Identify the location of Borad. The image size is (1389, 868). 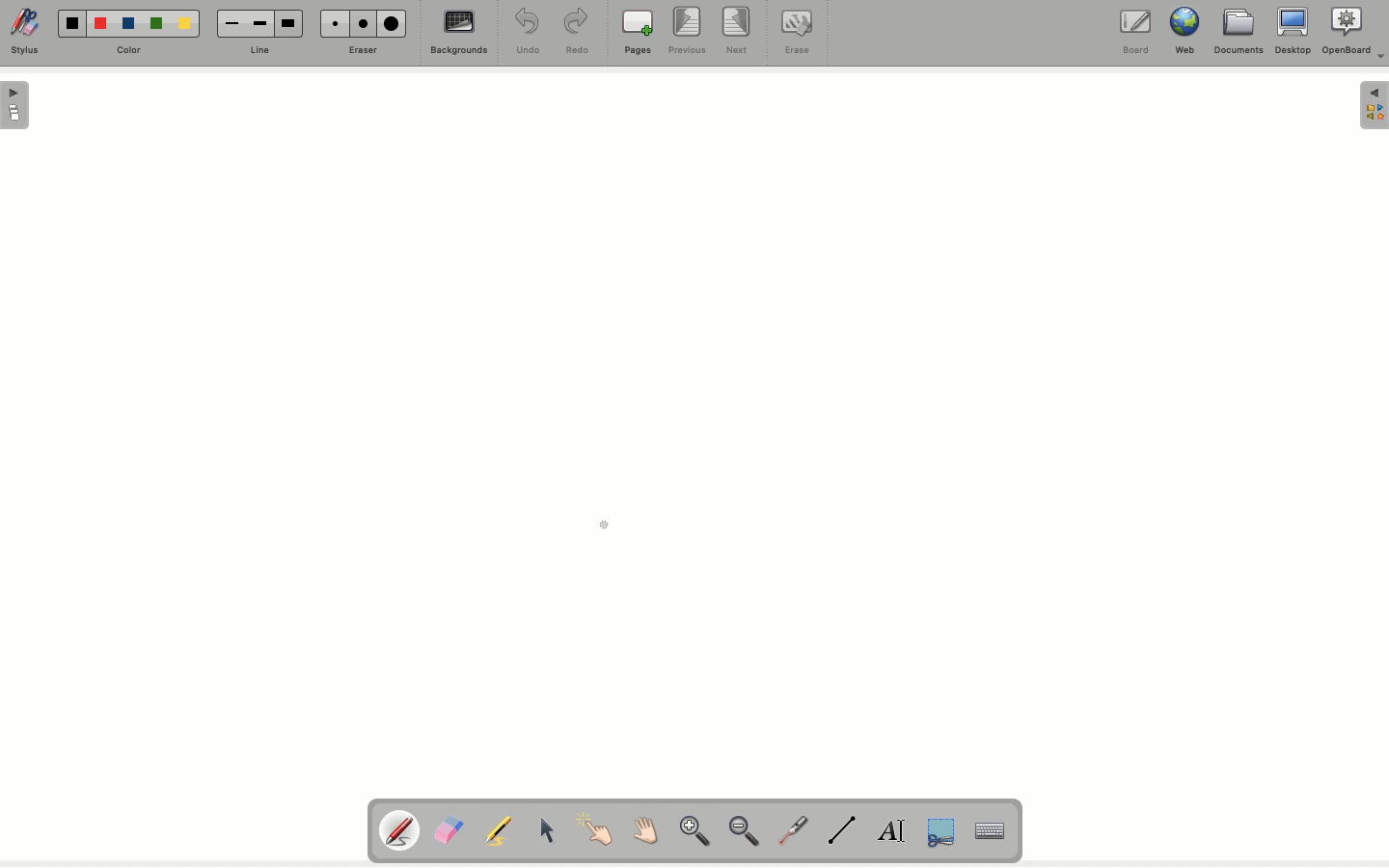
(1136, 35).